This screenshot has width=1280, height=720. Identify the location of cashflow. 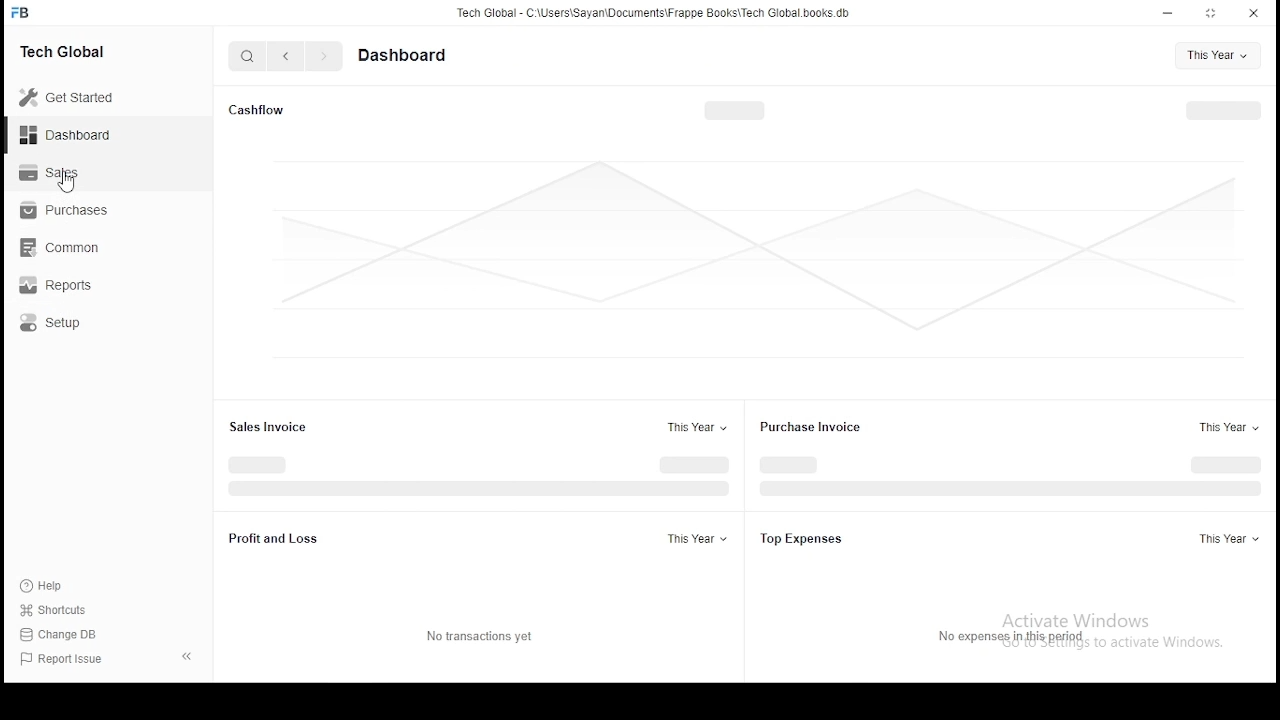
(256, 111).